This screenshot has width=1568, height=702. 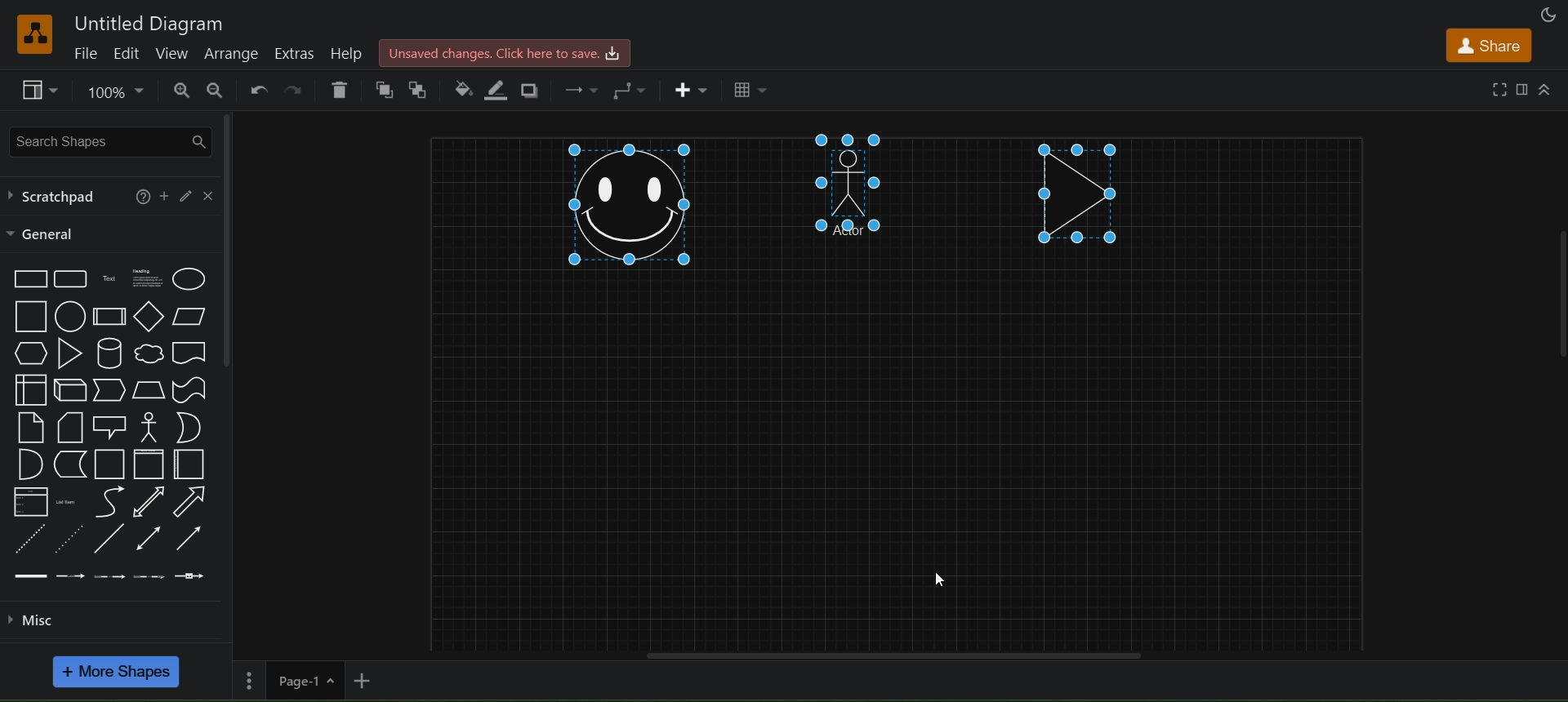 I want to click on arrange, so click(x=231, y=52).